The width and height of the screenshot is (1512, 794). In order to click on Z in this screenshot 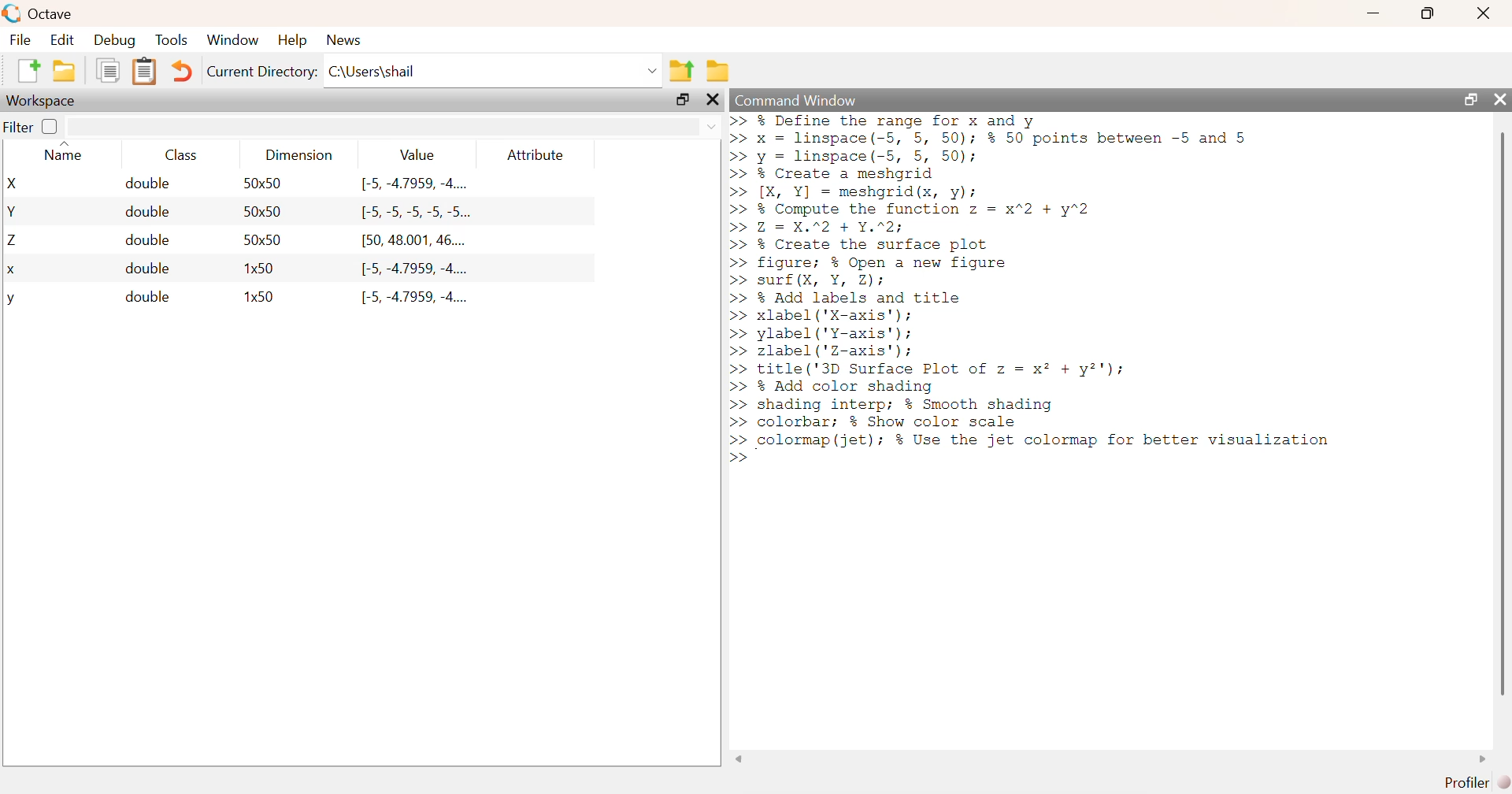, I will do `click(14, 241)`.